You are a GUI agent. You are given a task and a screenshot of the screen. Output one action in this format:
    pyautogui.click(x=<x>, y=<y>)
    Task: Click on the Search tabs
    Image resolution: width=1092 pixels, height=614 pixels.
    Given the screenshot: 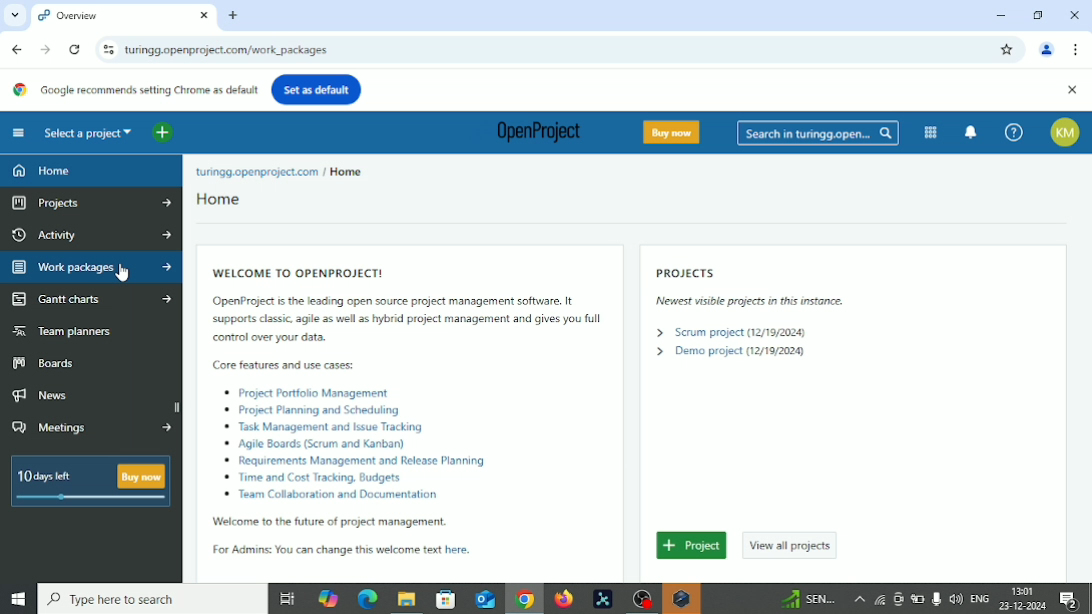 What is the action you would take?
    pyautogui.click(x=12, y=15)
    